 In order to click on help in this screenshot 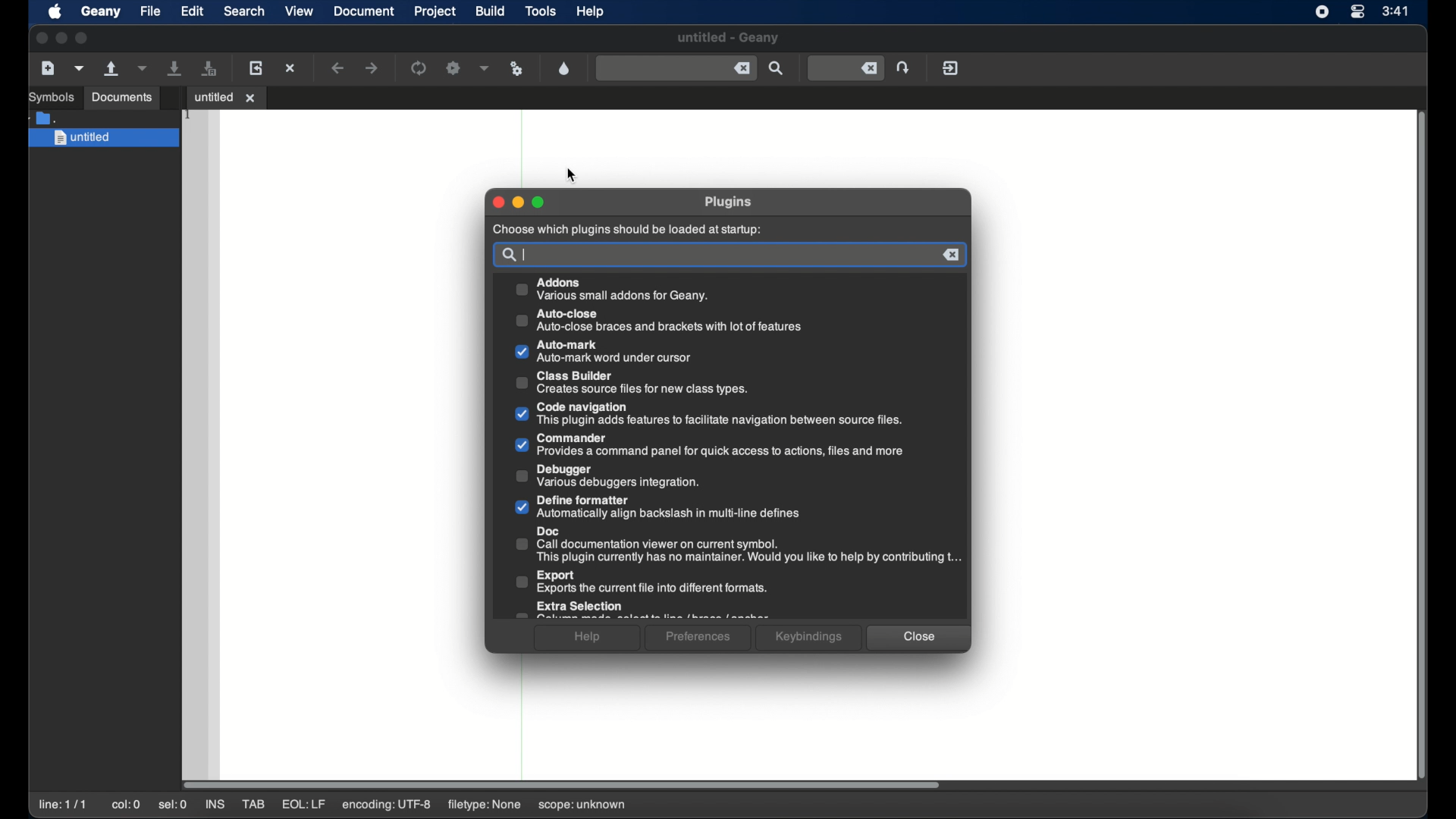, I will do `click(587, 637)`.